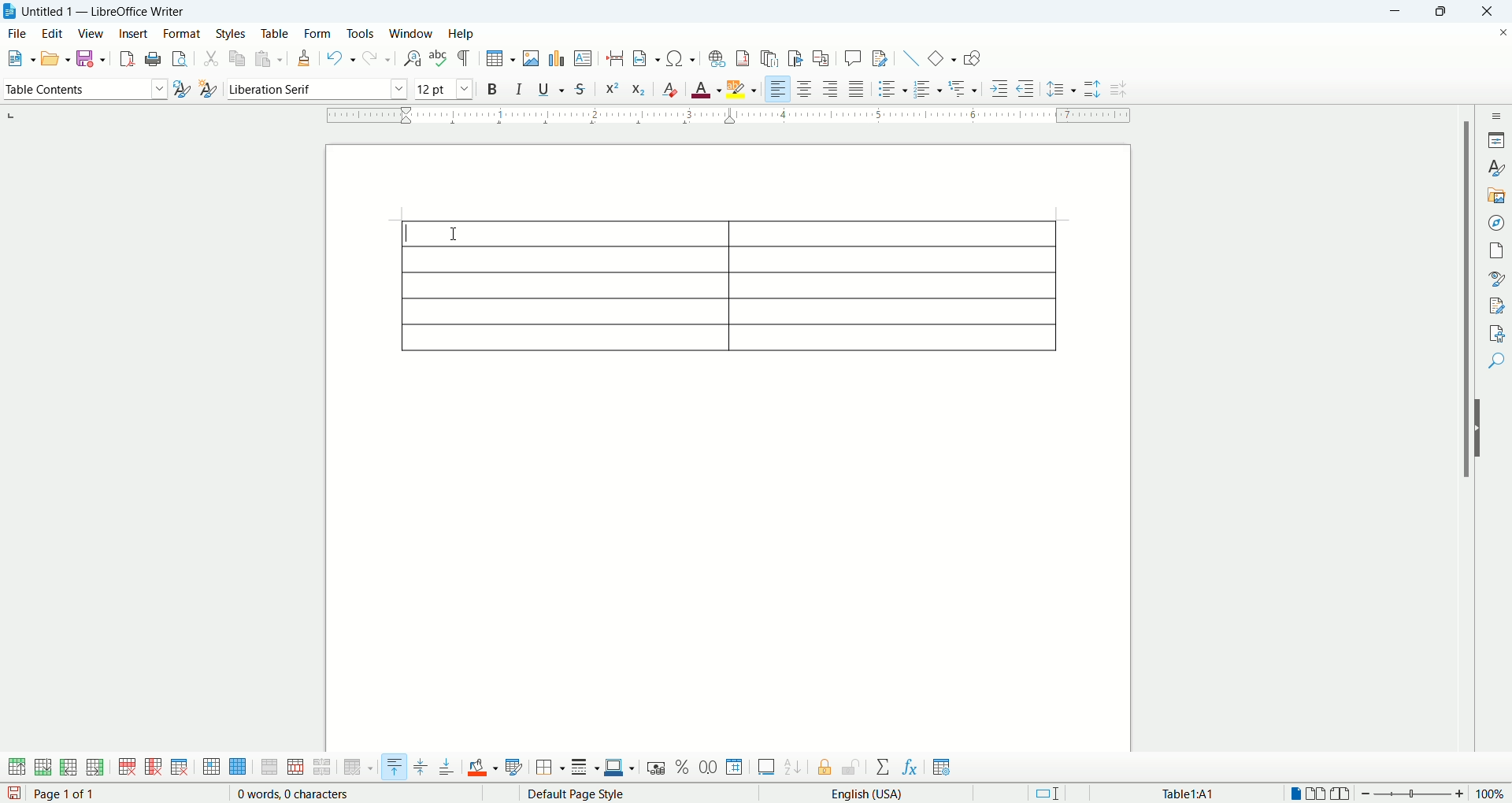 Image resolution: width=1512 pixels, height=803 pixels. I want to click on insert row after, so click(95, 767).